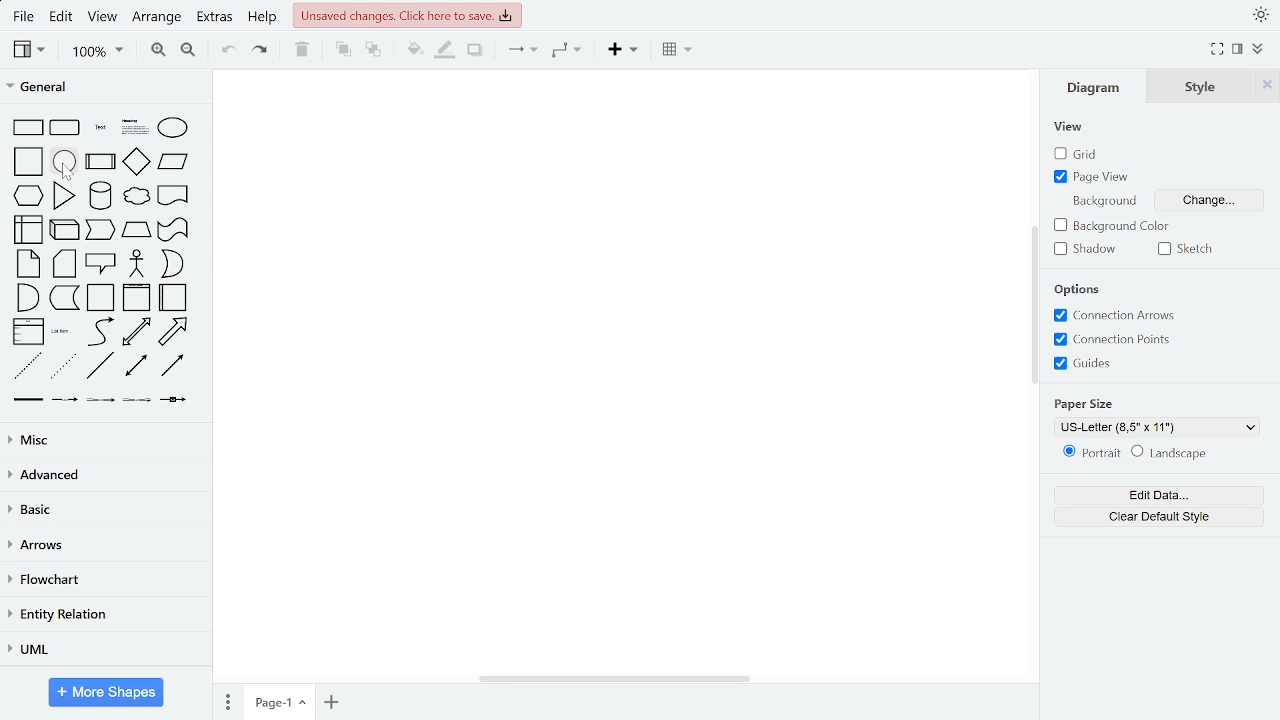  Describe the element at coordinates (1214, 201) in the screenshot. I see `change background` at that location.